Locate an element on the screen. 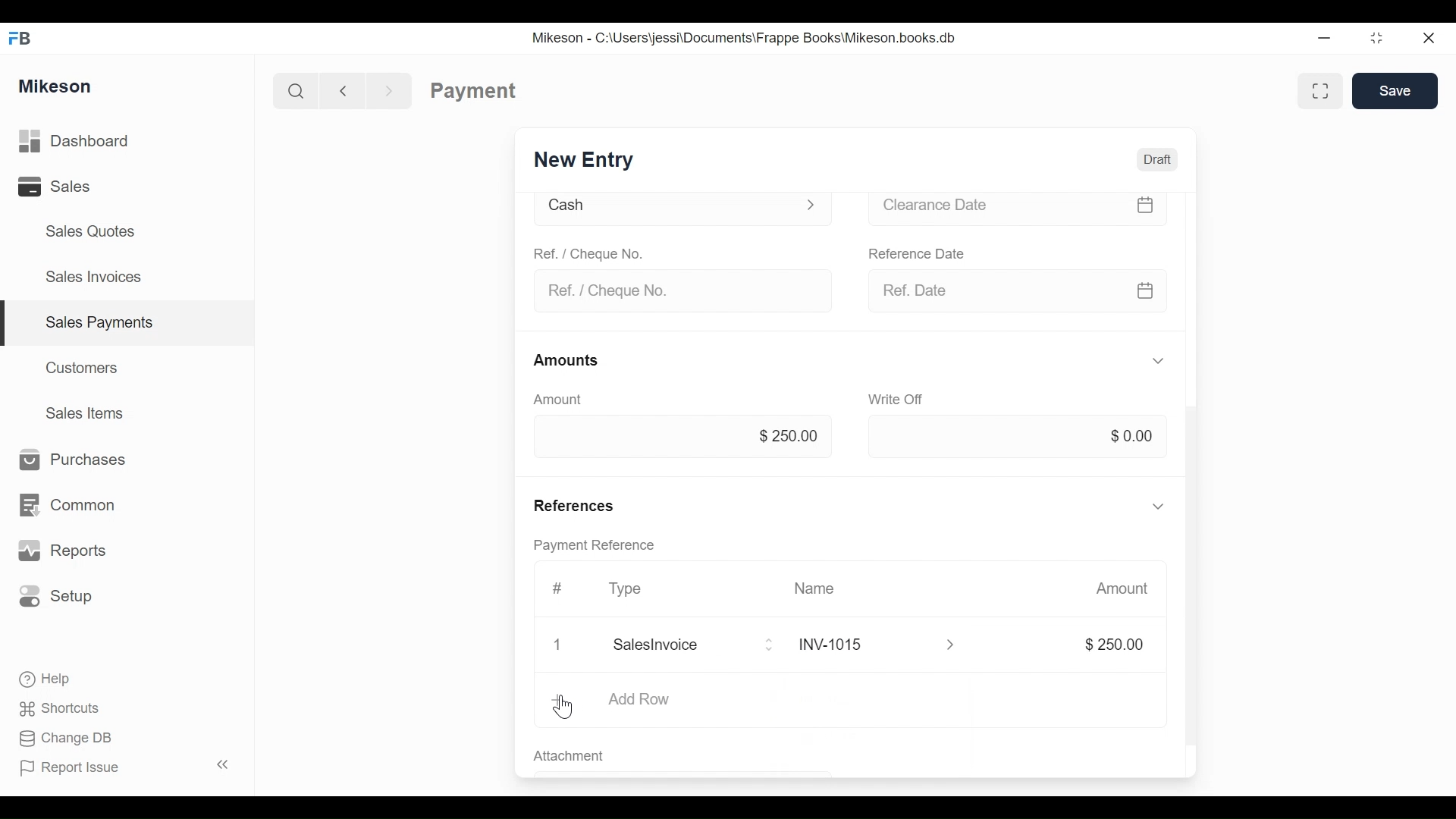 This screenshot has width=1456, height=819. Dashboard is located at coordinates (99, 142).